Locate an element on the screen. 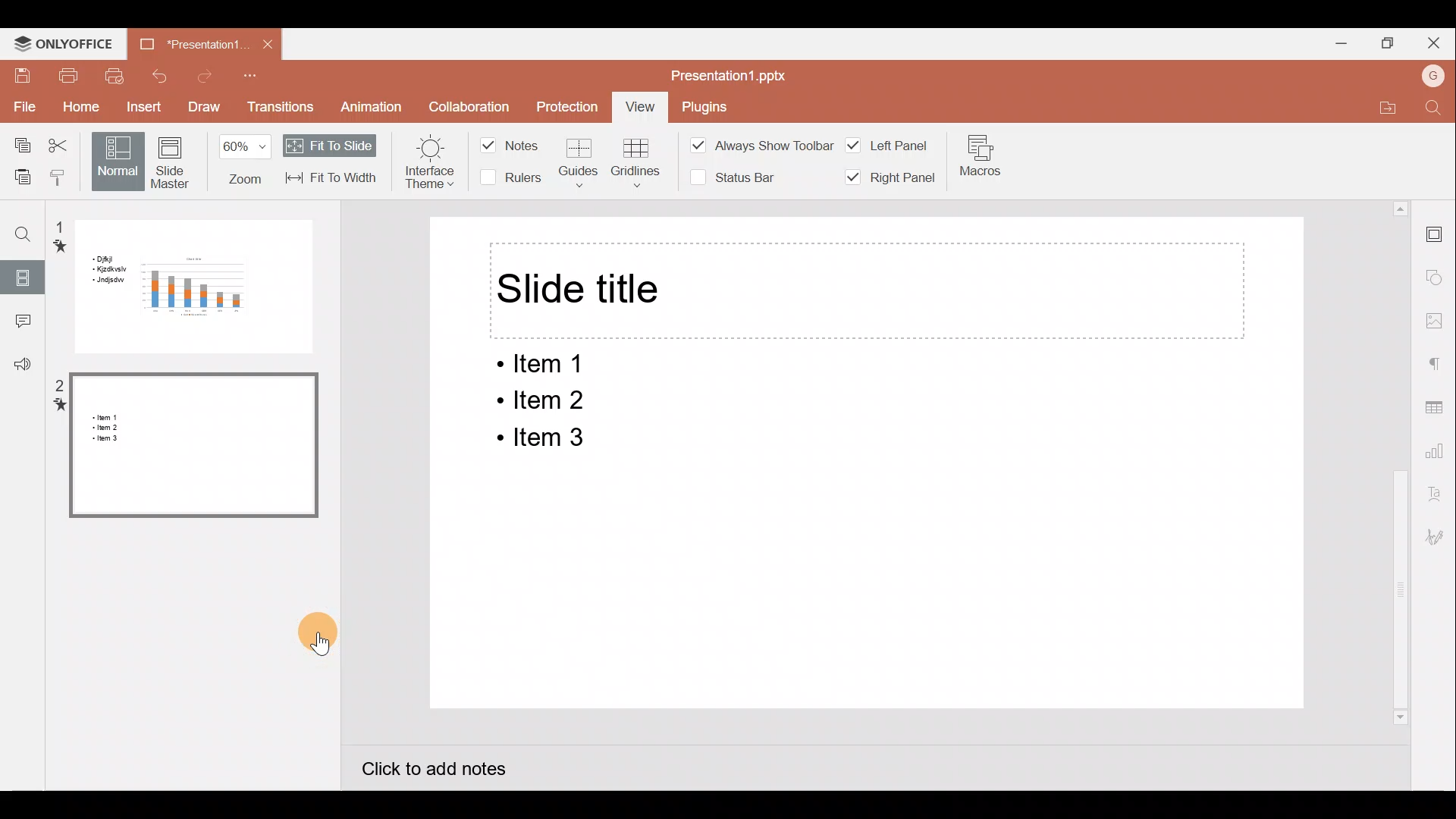 This screenshot has height=819, width=1456. Scroll bar is located at coordinates (1392, 495).